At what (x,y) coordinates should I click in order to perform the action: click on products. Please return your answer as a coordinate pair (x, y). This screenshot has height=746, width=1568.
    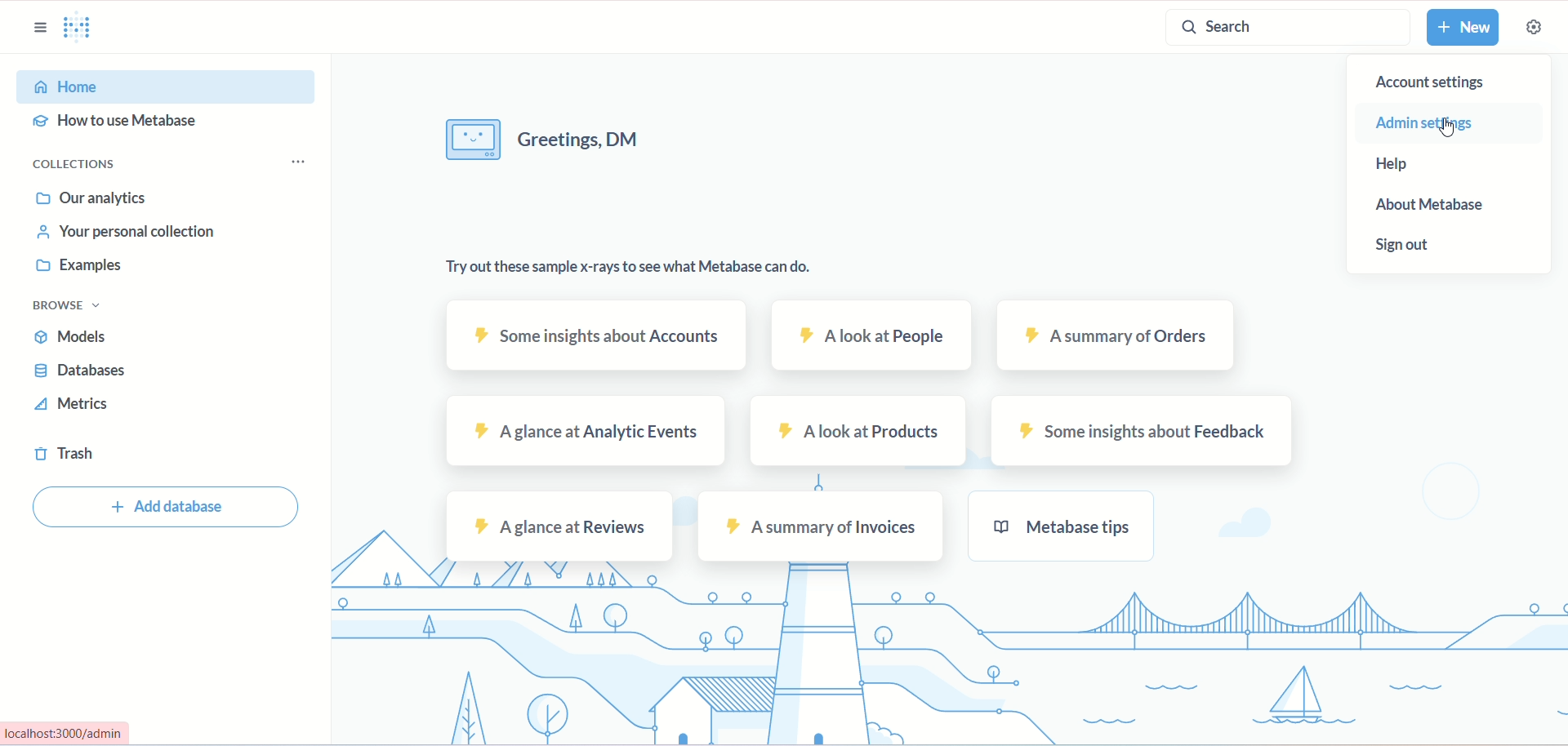
    Looking at the image, I should click on (861, 431).